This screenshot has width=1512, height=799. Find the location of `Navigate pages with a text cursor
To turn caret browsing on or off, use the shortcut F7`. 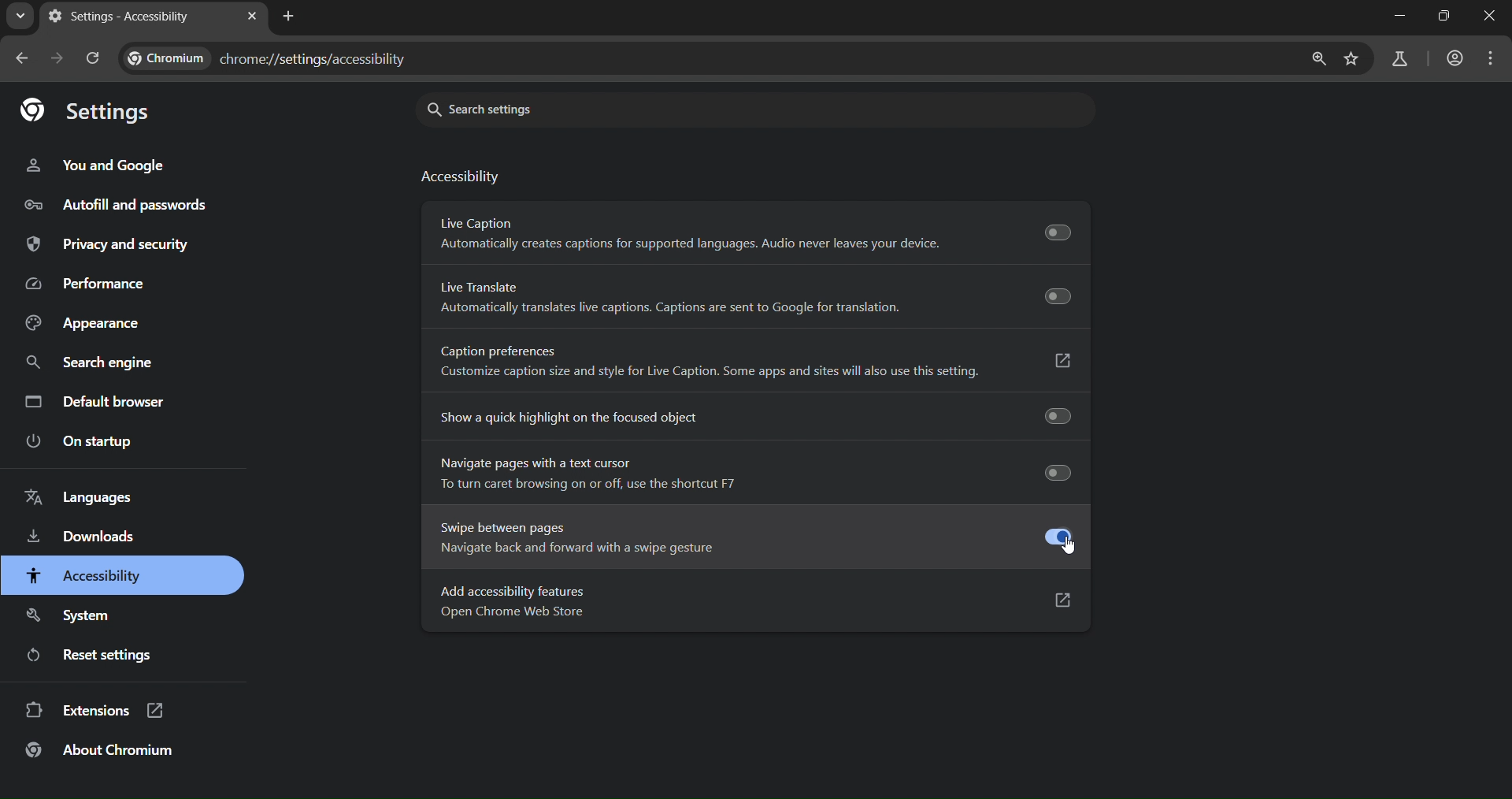

Navigate pages with a text cursor
To turn caret browsing on or off, use the shortcut F7 is located at coordinates (746, 474).